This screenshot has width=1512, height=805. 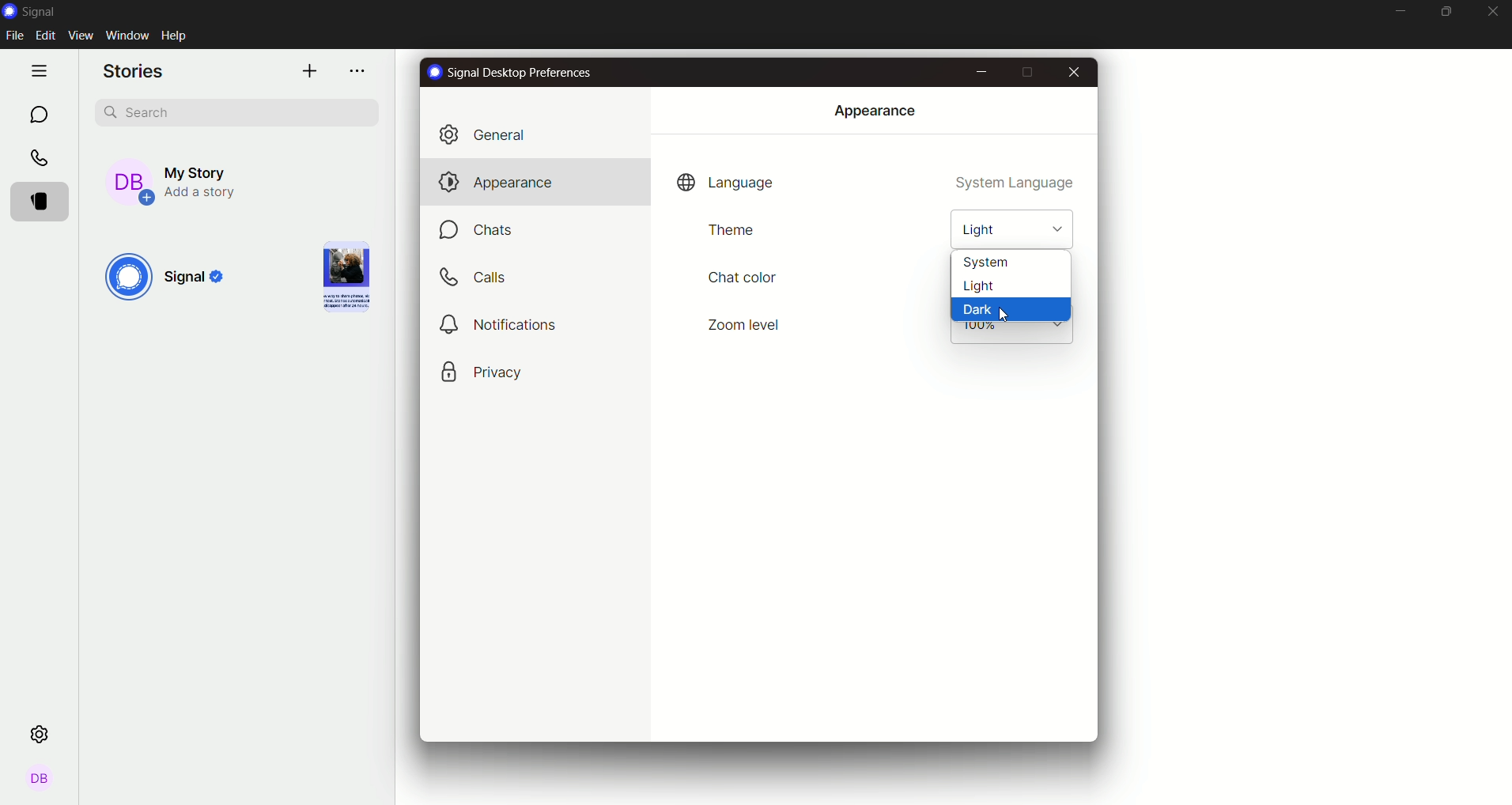 I want to click on view, so click(x=81, y=36).